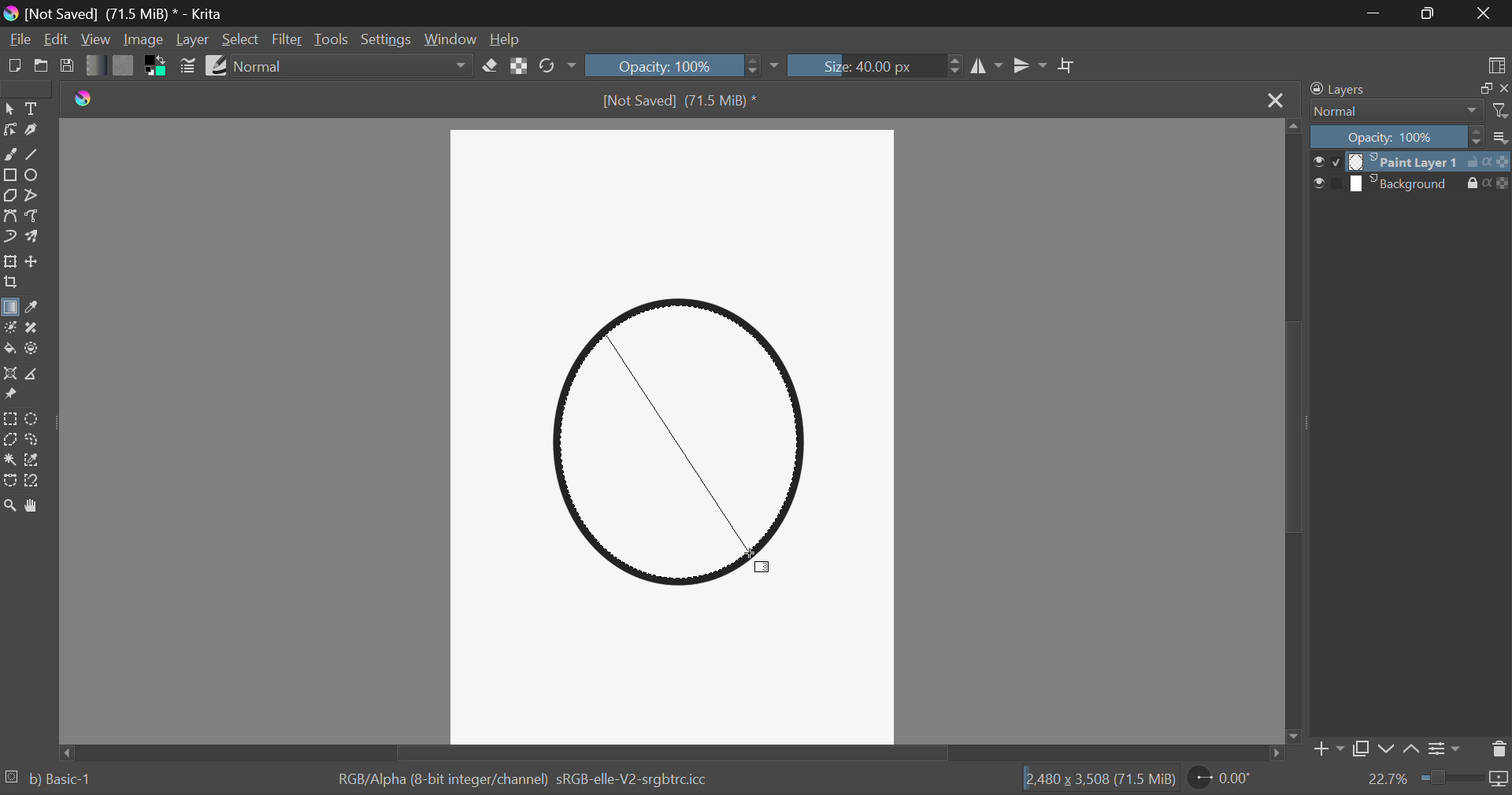 This screenshot has width=1512, height=795. I want to click on Smart Patch Tool, so click(35, 329).